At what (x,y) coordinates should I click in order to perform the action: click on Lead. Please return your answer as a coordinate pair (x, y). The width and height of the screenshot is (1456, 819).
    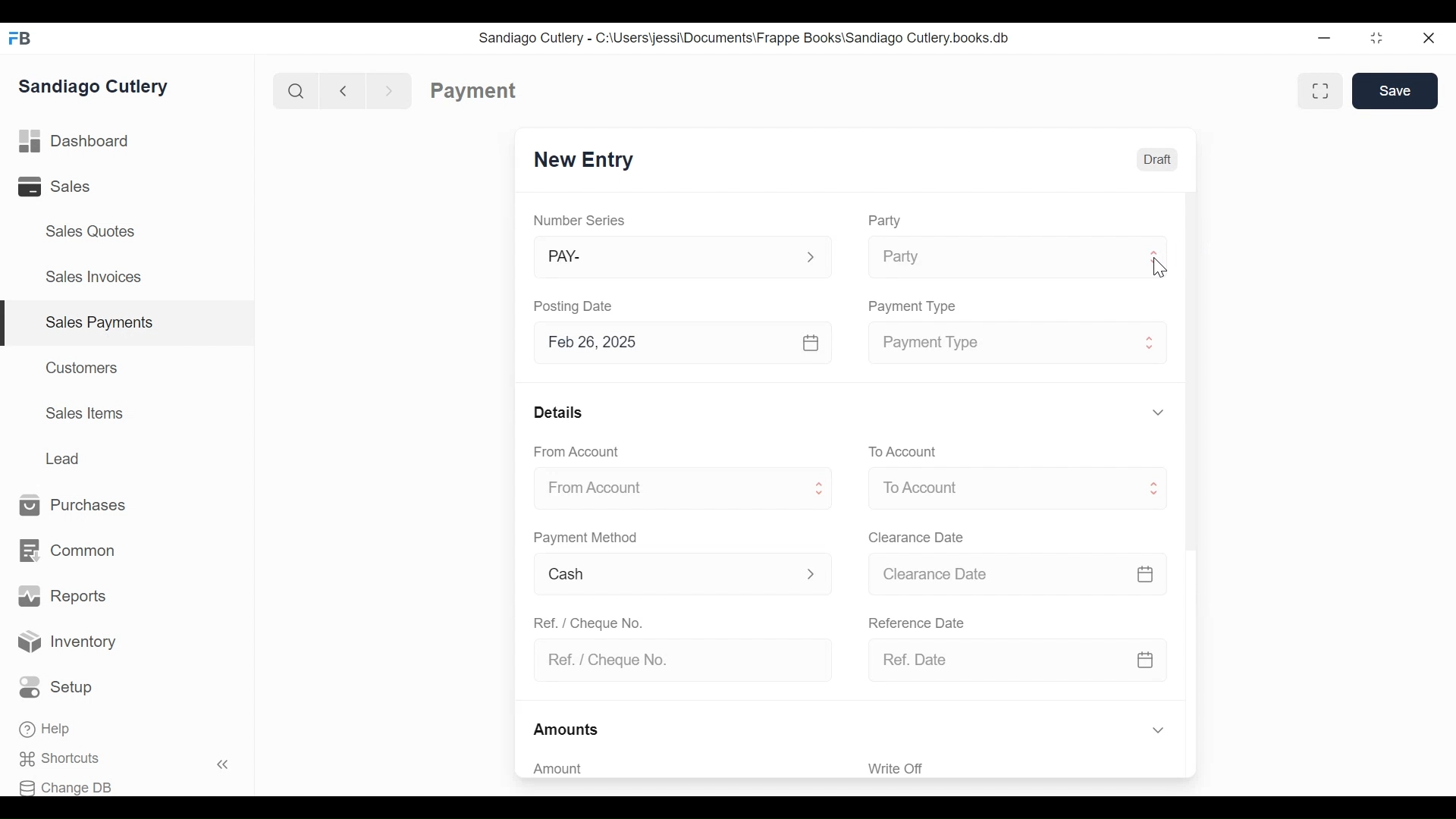
    Looking at the image, I should click on (65, 457).